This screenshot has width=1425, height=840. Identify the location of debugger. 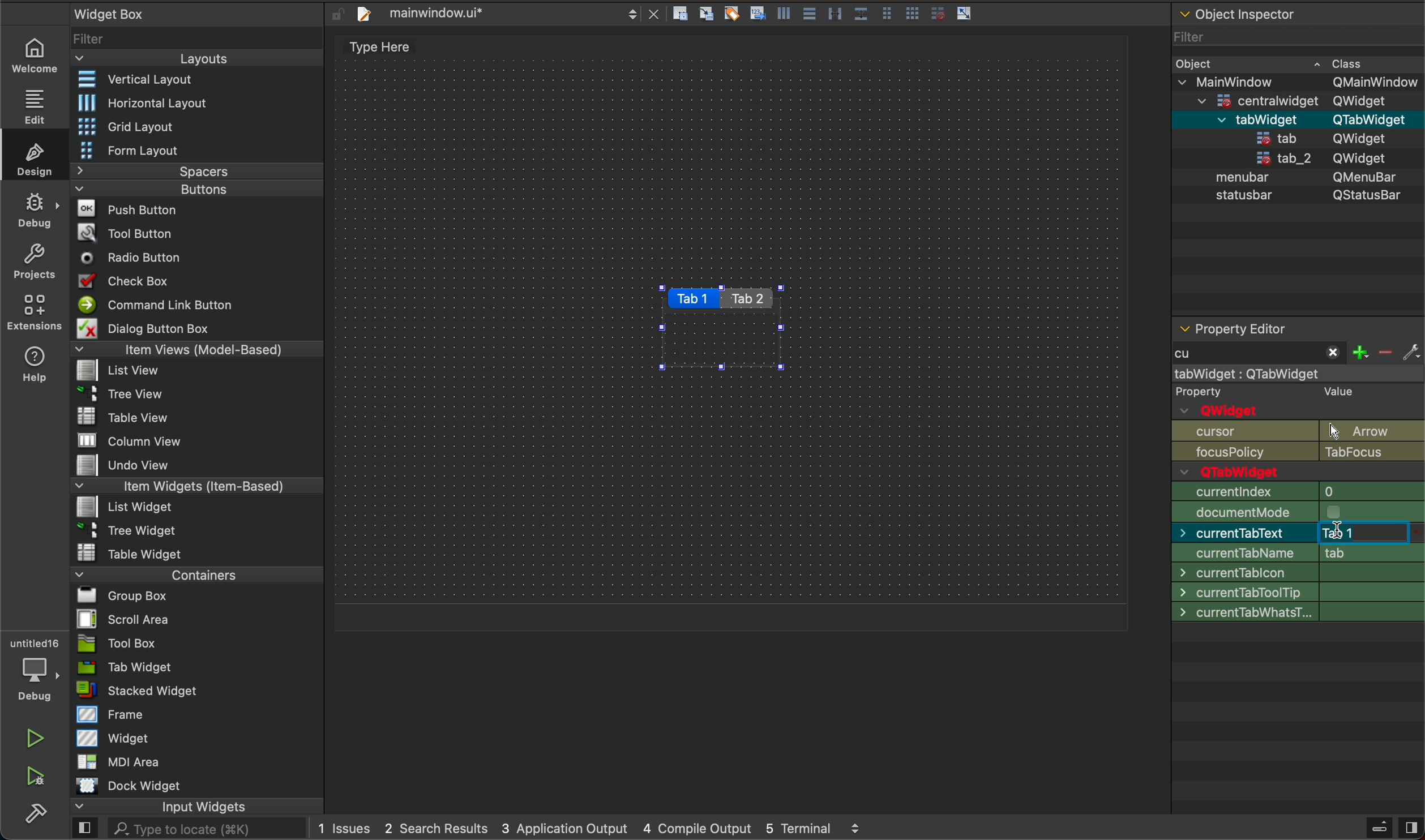
(32, 666).